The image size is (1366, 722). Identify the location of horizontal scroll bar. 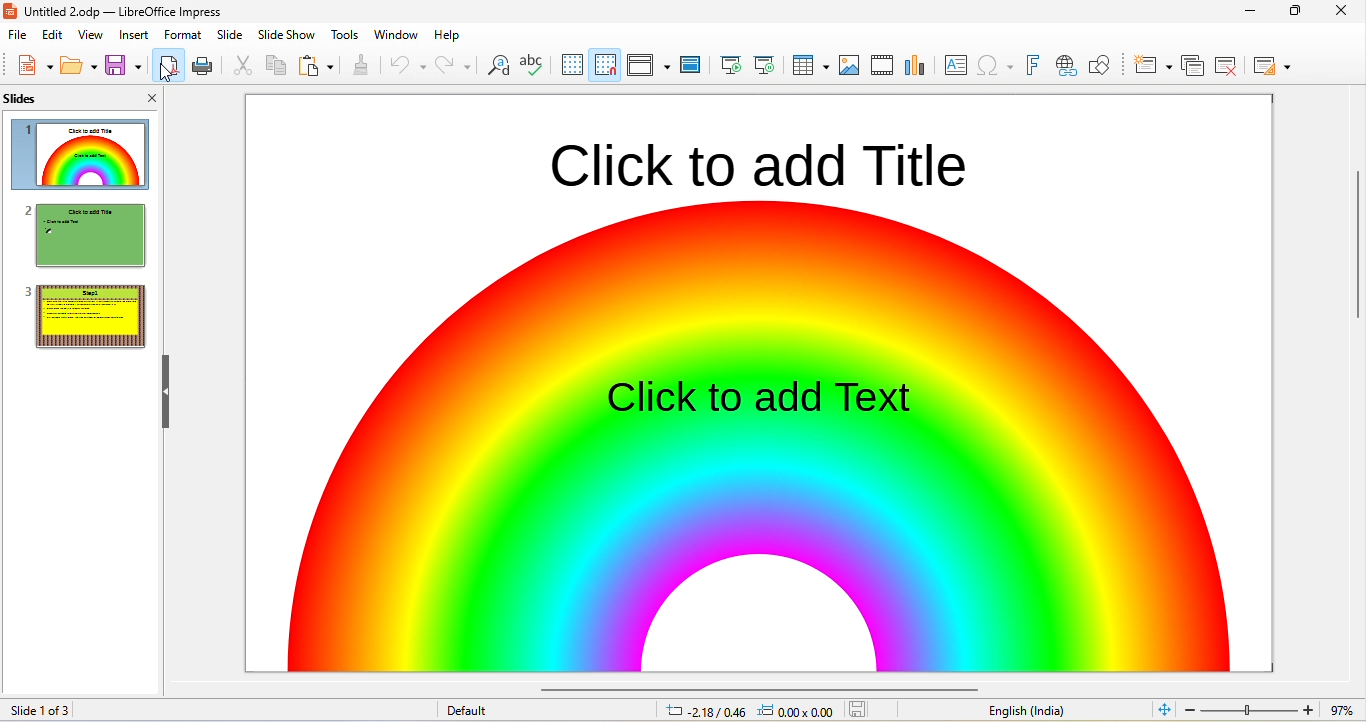
(750, 686).